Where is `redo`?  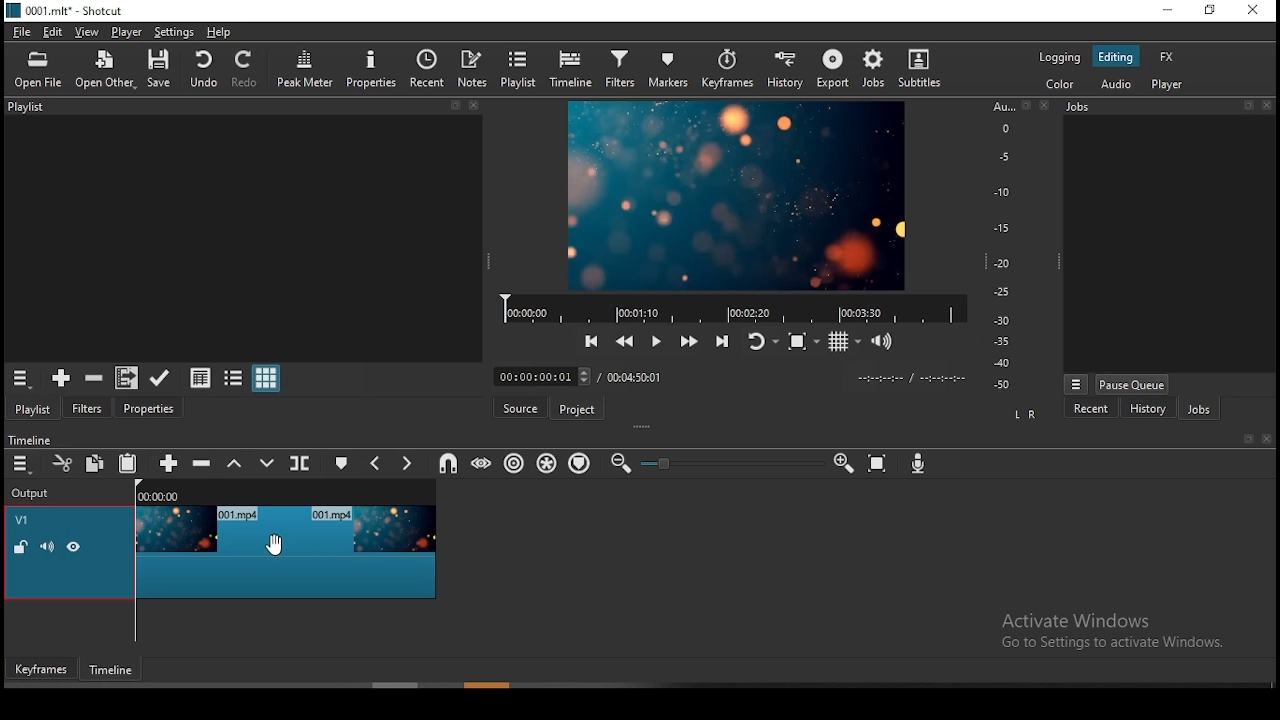
redo is located at coordinates (245, 70).